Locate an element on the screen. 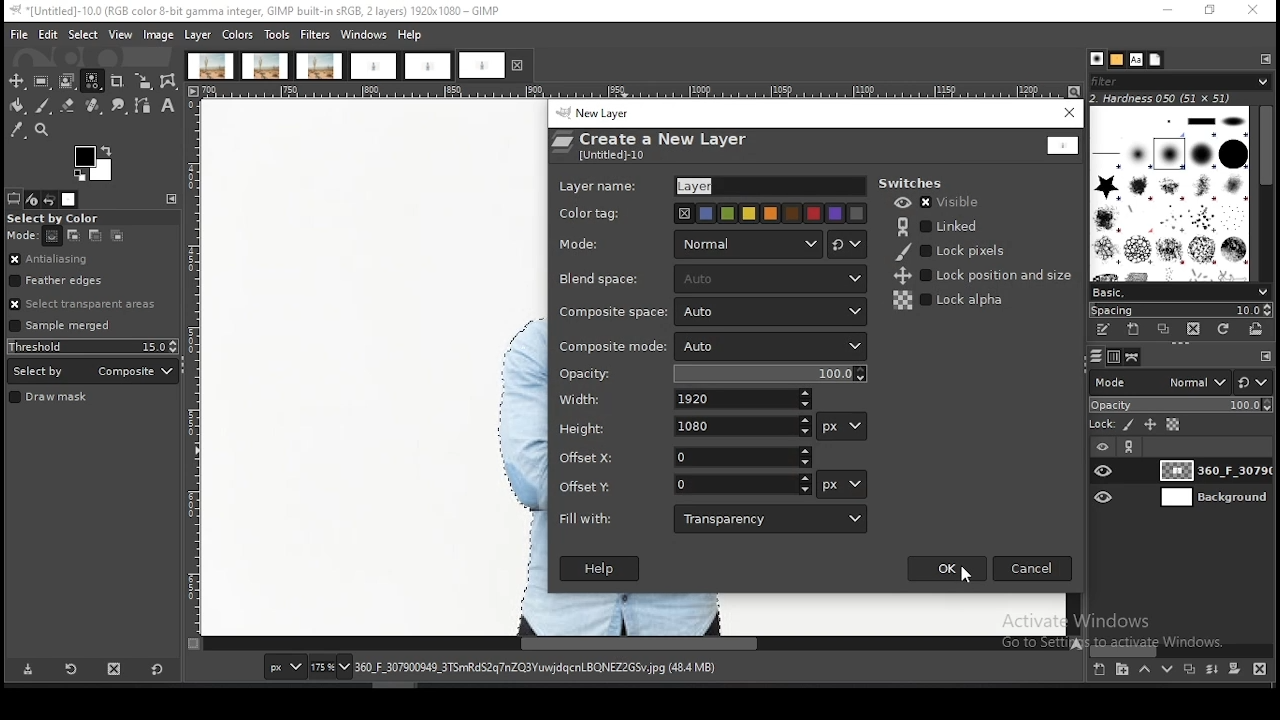 Image resolution: width=1280 pixels, height=720 pixels. paintbrush tool is located at coordinates (43, 106).